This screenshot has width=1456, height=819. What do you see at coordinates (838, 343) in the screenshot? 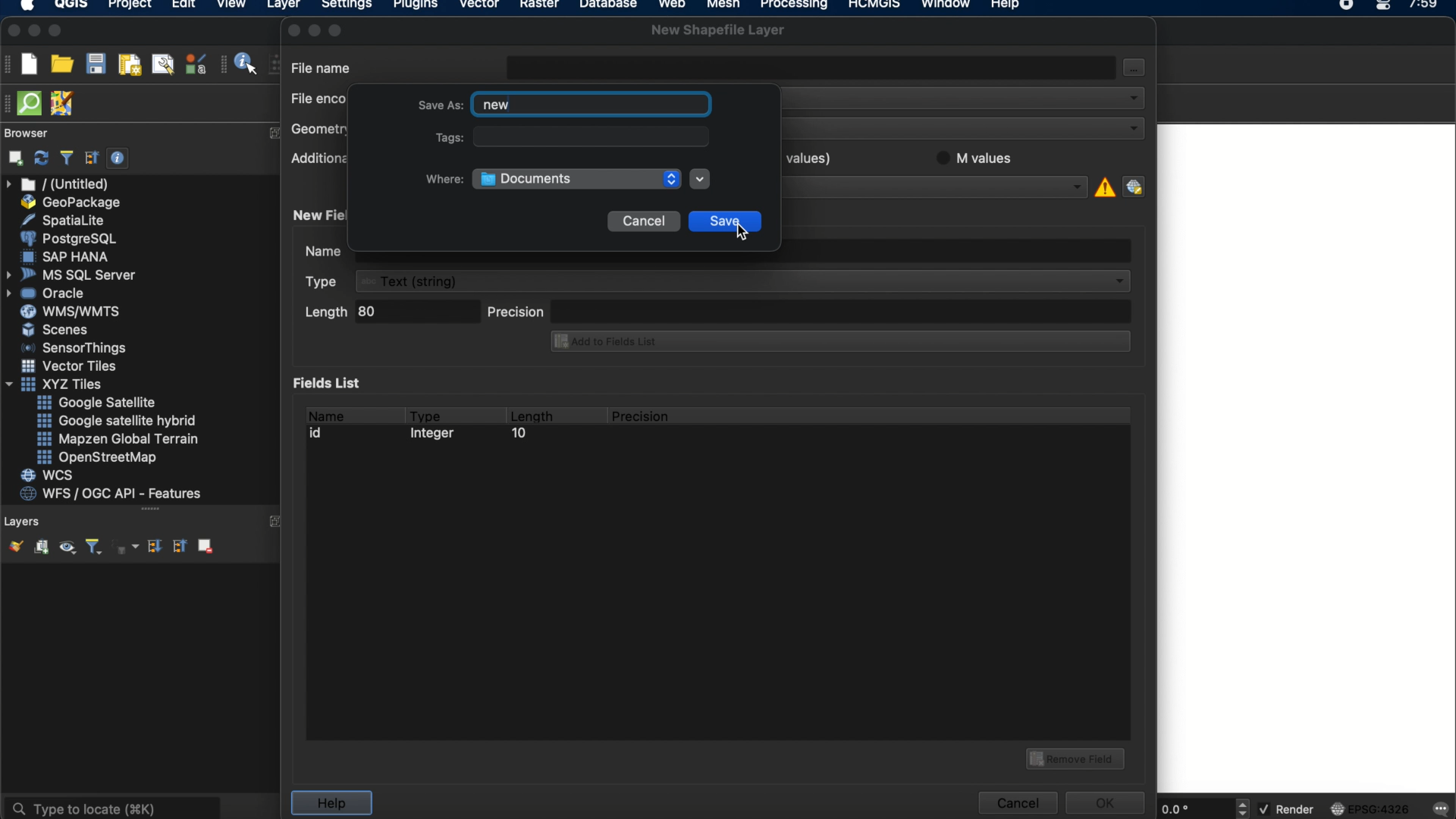
I see `inactive add fields list icon` at bounding box center [838, 343].